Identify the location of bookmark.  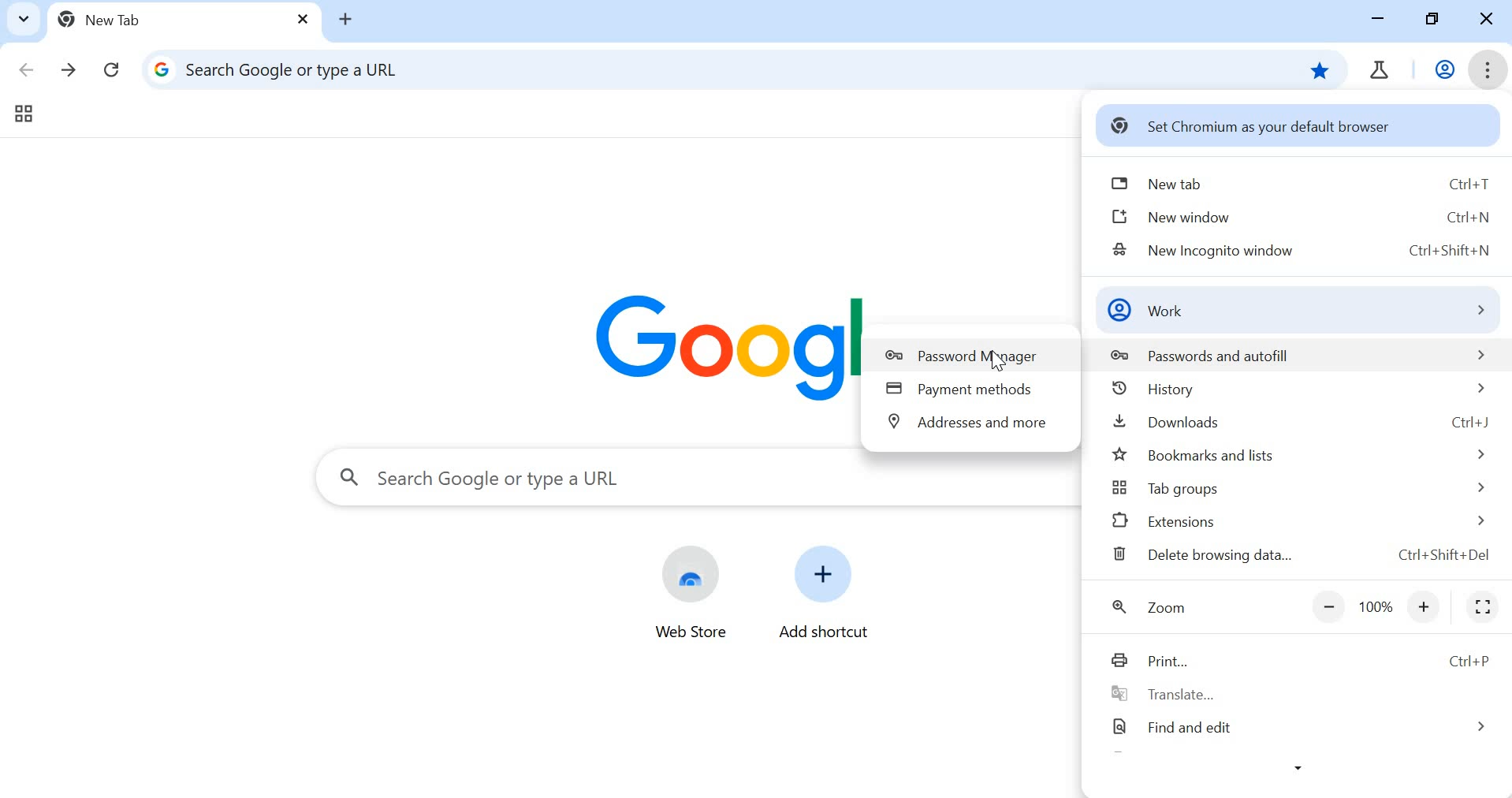
(1320, 69).